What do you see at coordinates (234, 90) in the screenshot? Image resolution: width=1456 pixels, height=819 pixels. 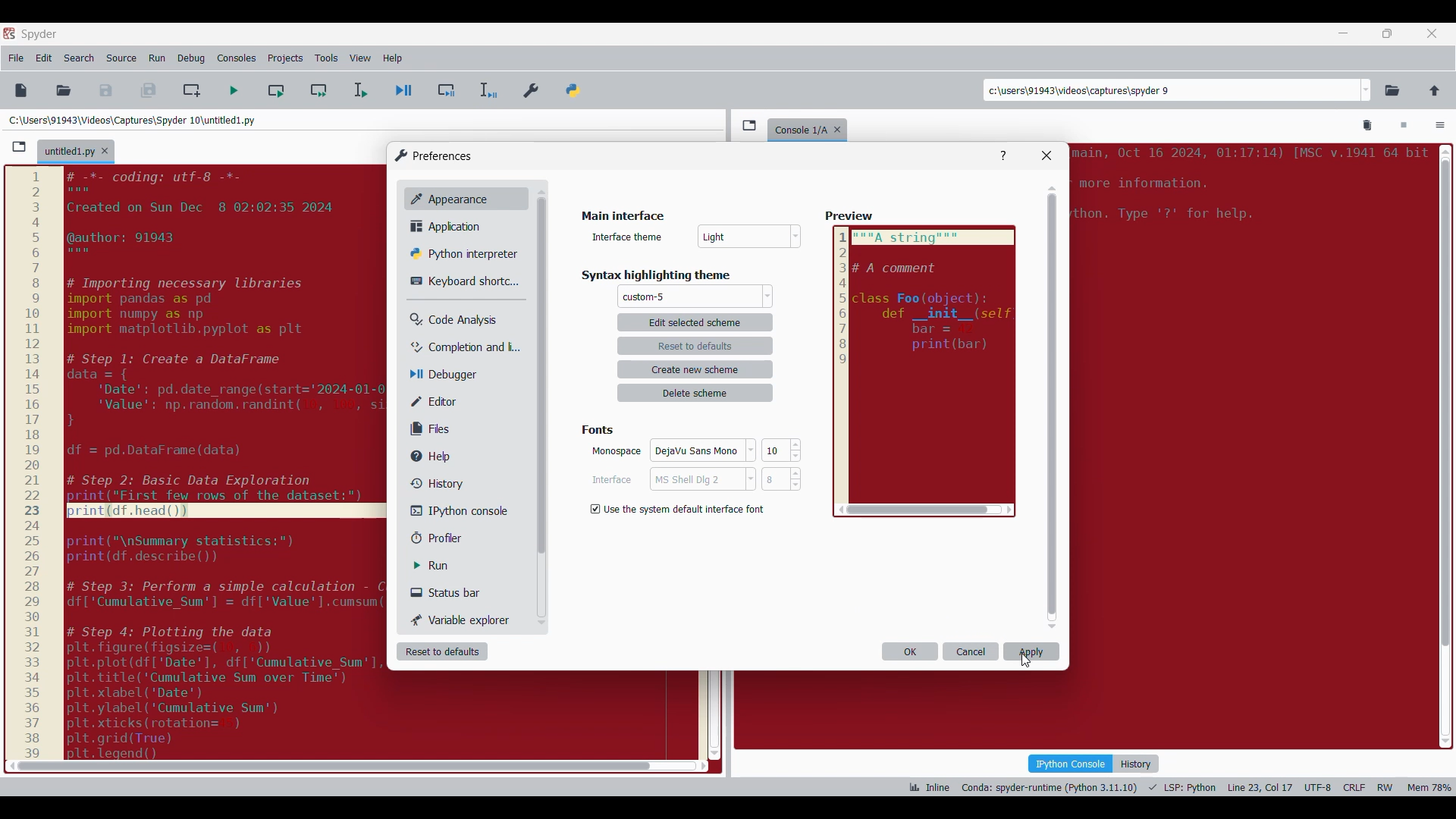 I see `Run file` at bounding box center [234, 90].